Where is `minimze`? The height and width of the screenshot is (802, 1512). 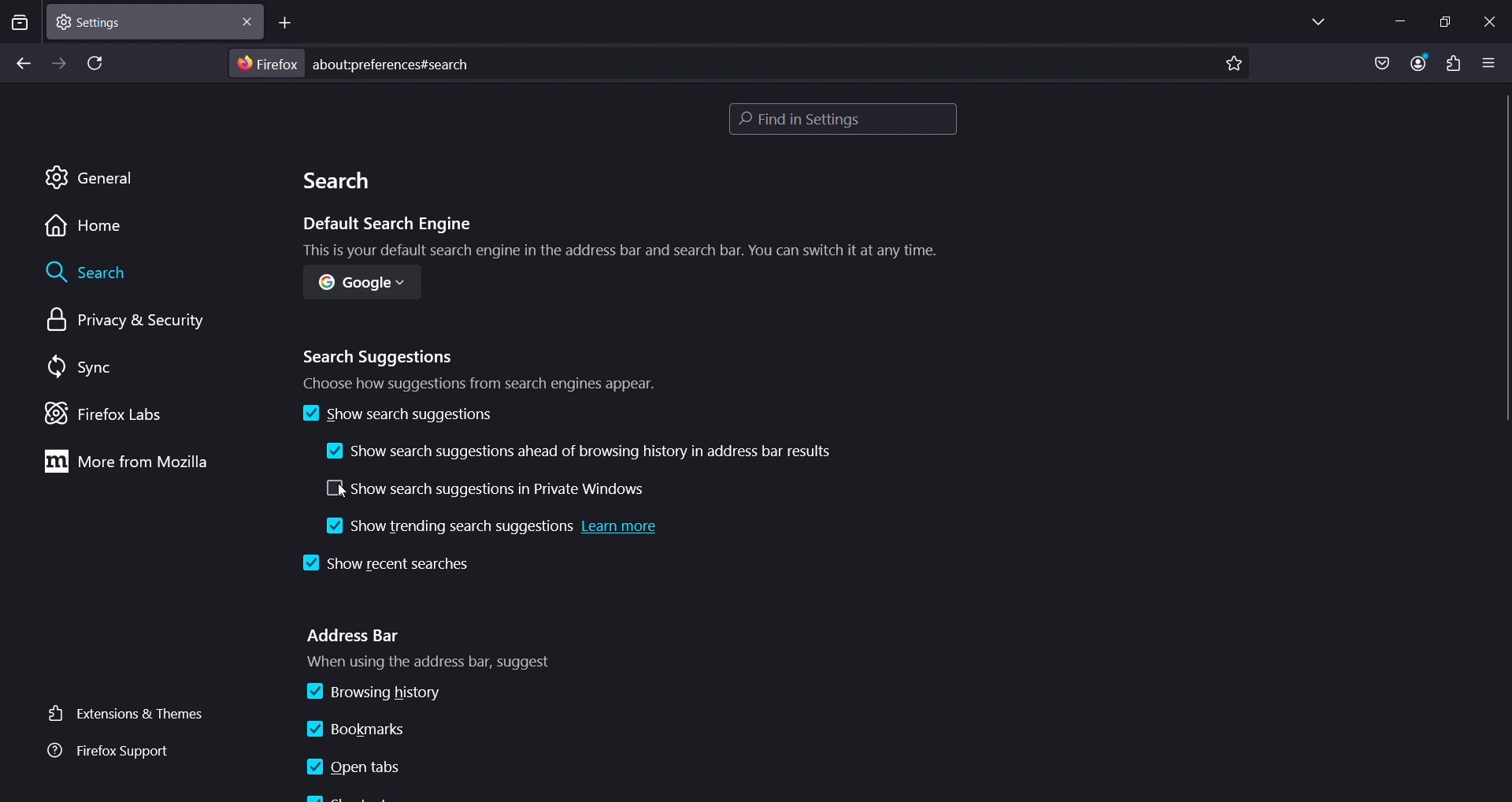 minimze is located at coordinates (1398, 20).